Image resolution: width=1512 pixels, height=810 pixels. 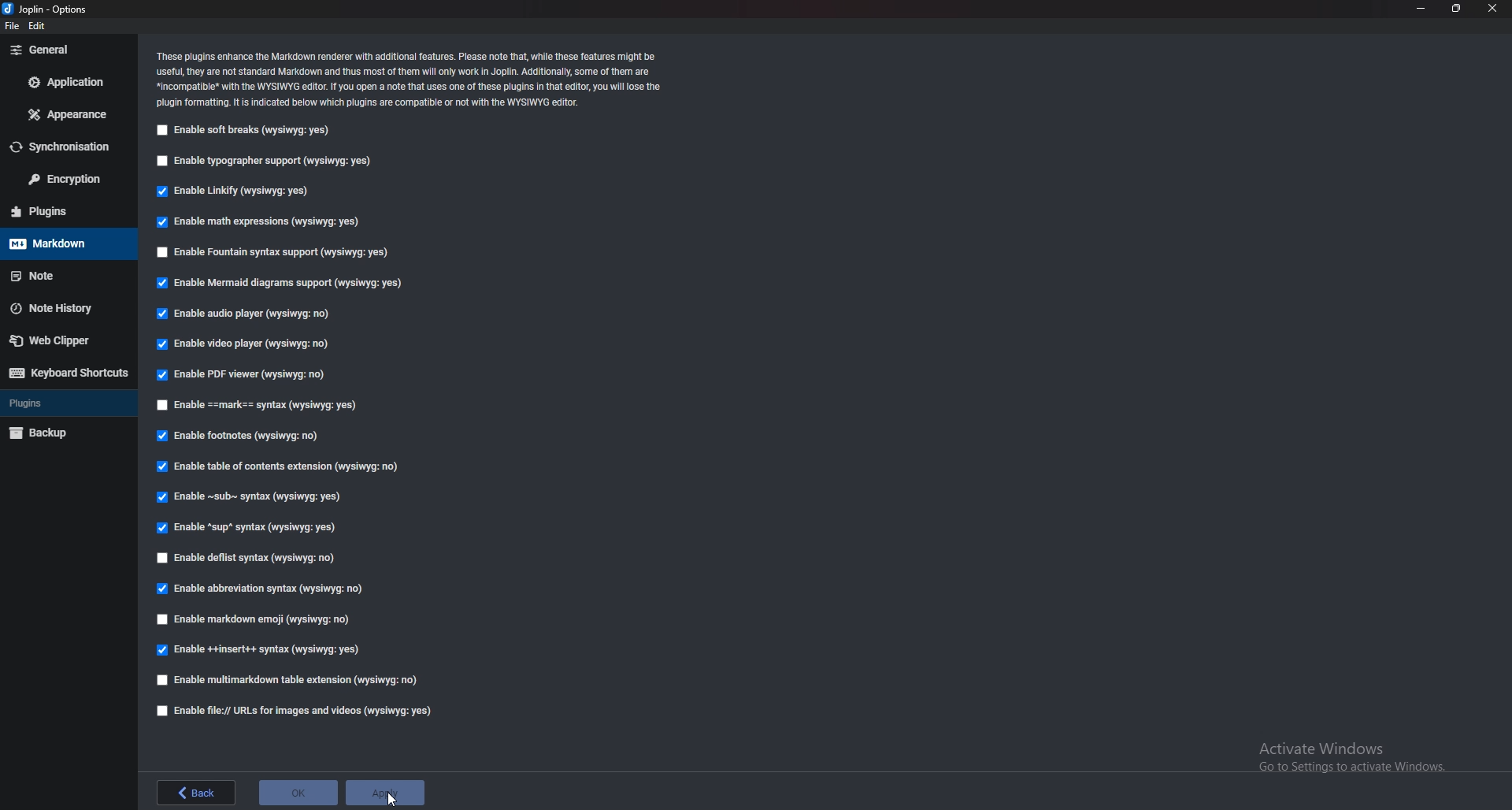 What do you see at coordinates (61, 276) in the screenshot?
I see `note` at bounding box center [61, 276].